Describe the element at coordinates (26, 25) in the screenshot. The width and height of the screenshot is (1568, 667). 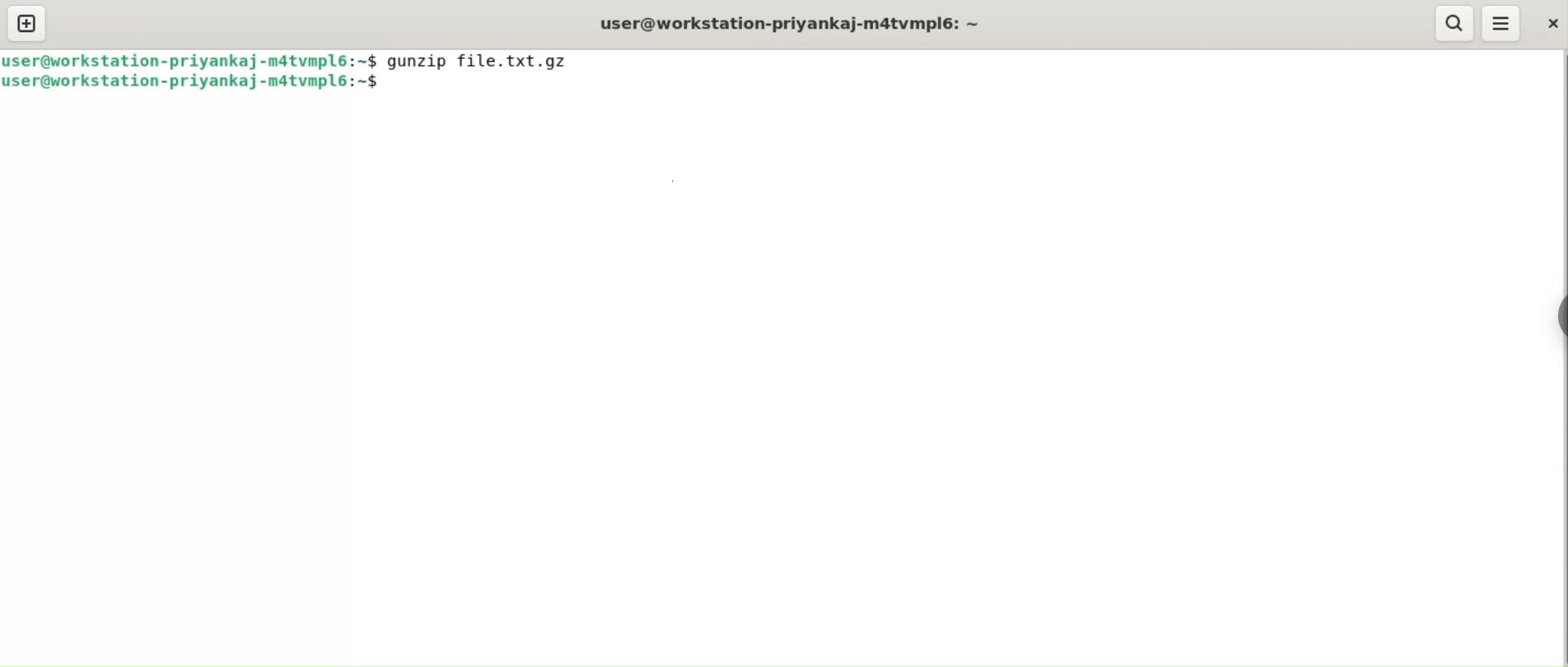
I see `new tab` at that location.